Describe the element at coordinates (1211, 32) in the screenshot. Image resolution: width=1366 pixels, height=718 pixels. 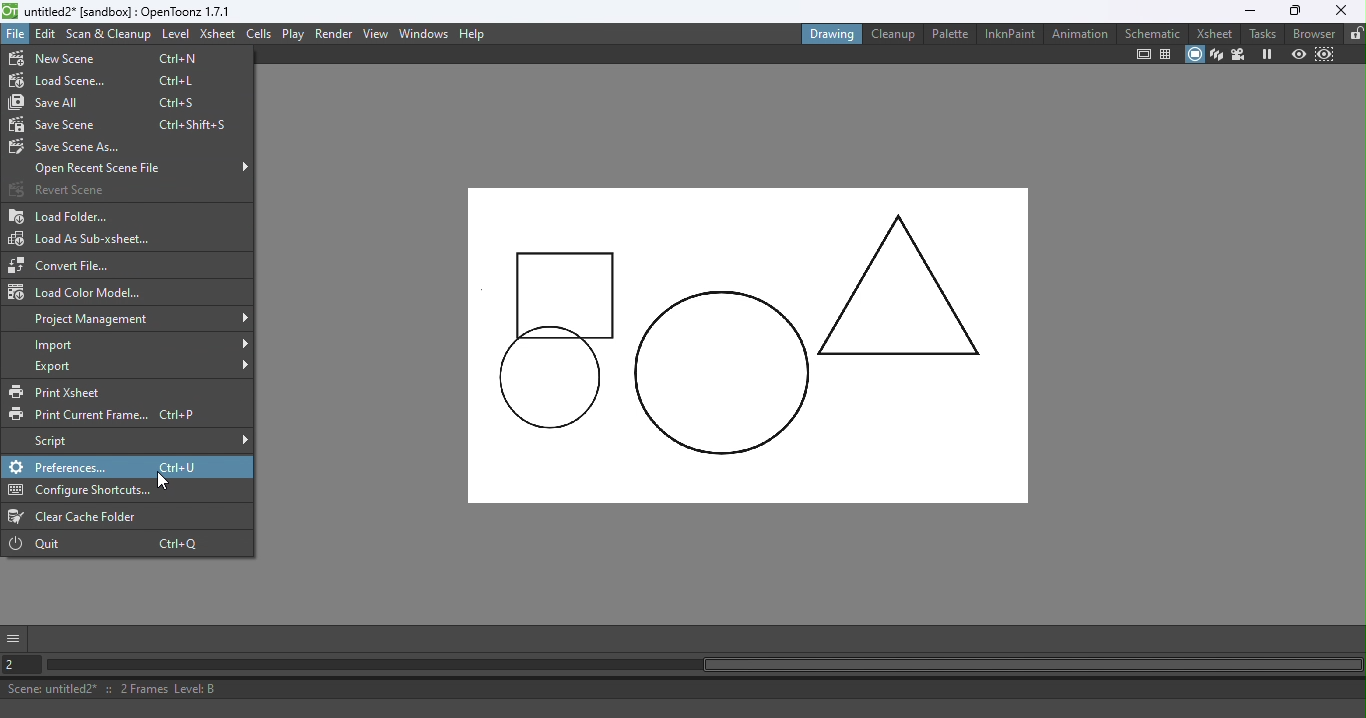
I see `Xsheet` at that location.